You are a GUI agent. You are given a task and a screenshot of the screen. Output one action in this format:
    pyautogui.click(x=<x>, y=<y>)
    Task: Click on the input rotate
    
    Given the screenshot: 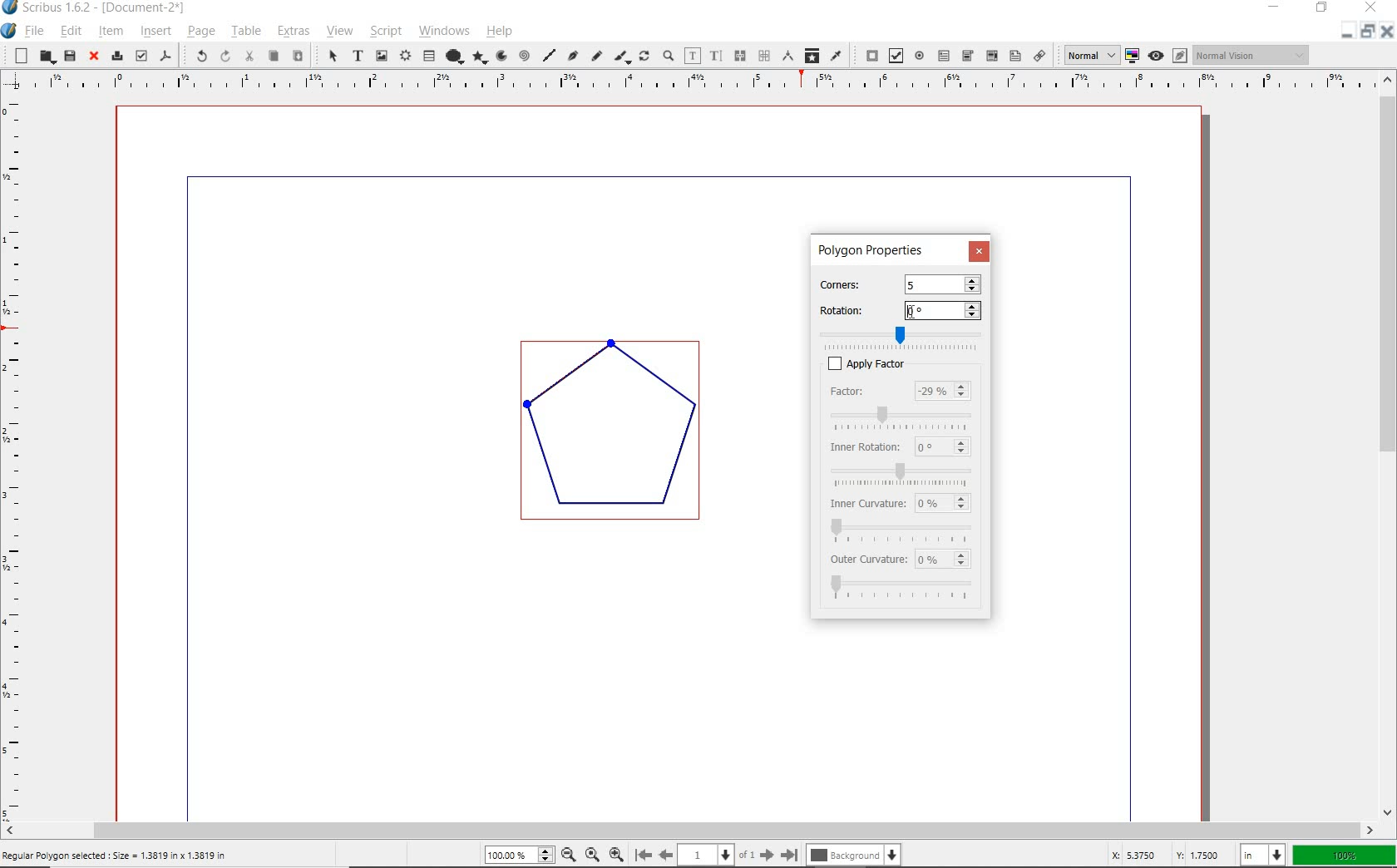 What is the action you would take?
    pyautogui.click(x=945, y=311)
    